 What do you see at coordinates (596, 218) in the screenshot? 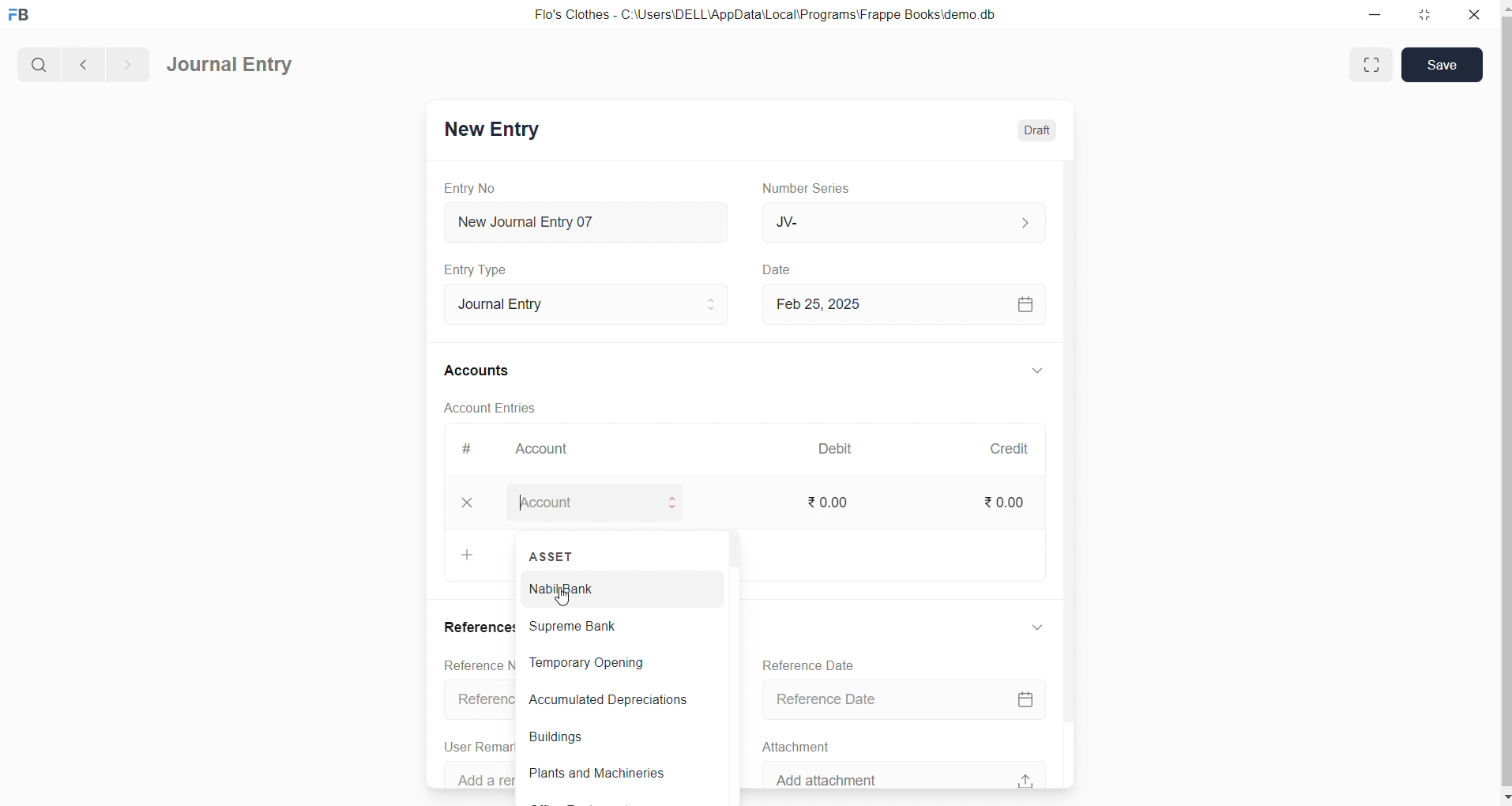
I see `New Journal Entry 07` at bounding box center [596, 218].